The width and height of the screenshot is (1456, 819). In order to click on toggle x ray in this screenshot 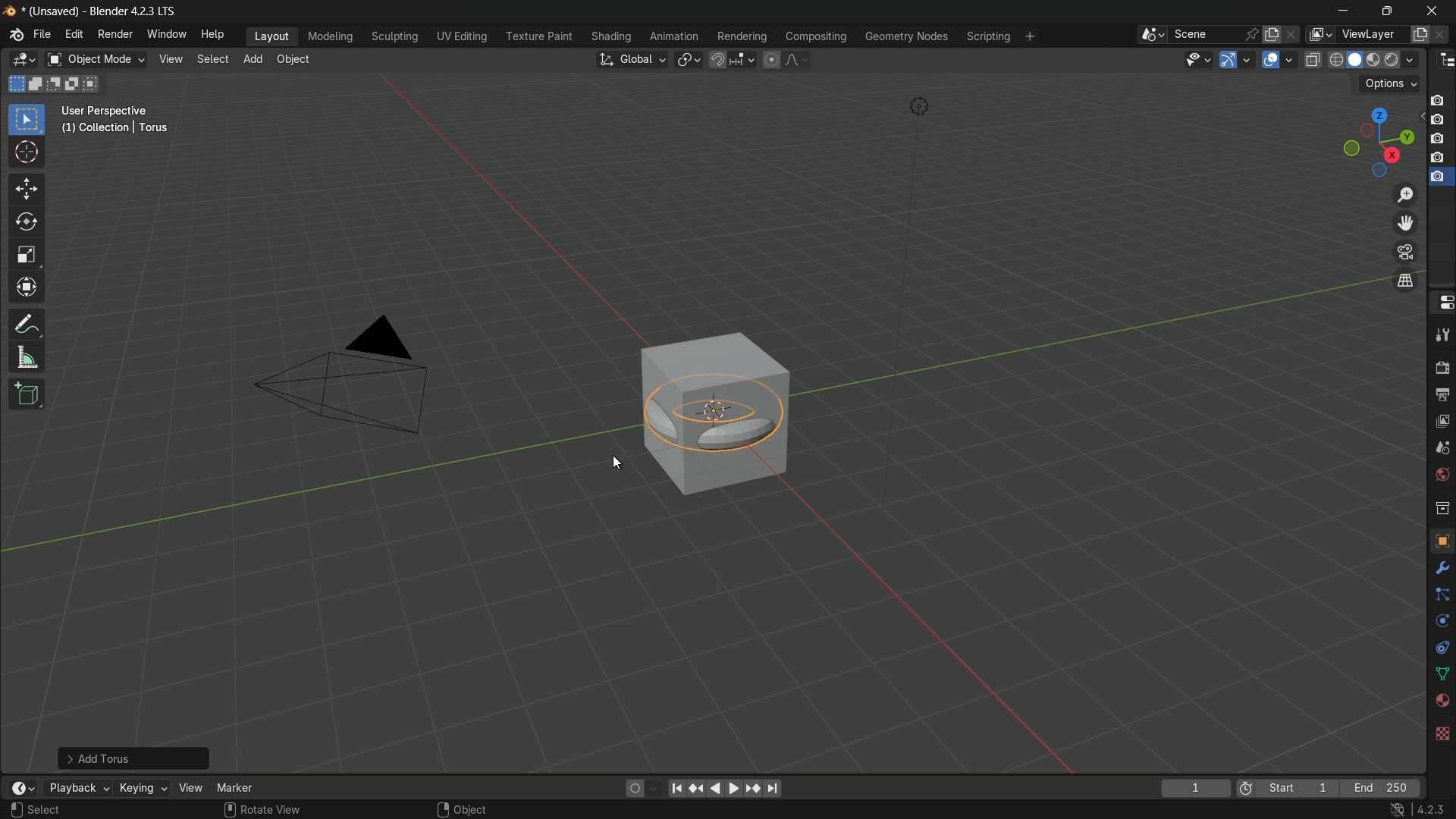, I will do `click(1313, 59)`.